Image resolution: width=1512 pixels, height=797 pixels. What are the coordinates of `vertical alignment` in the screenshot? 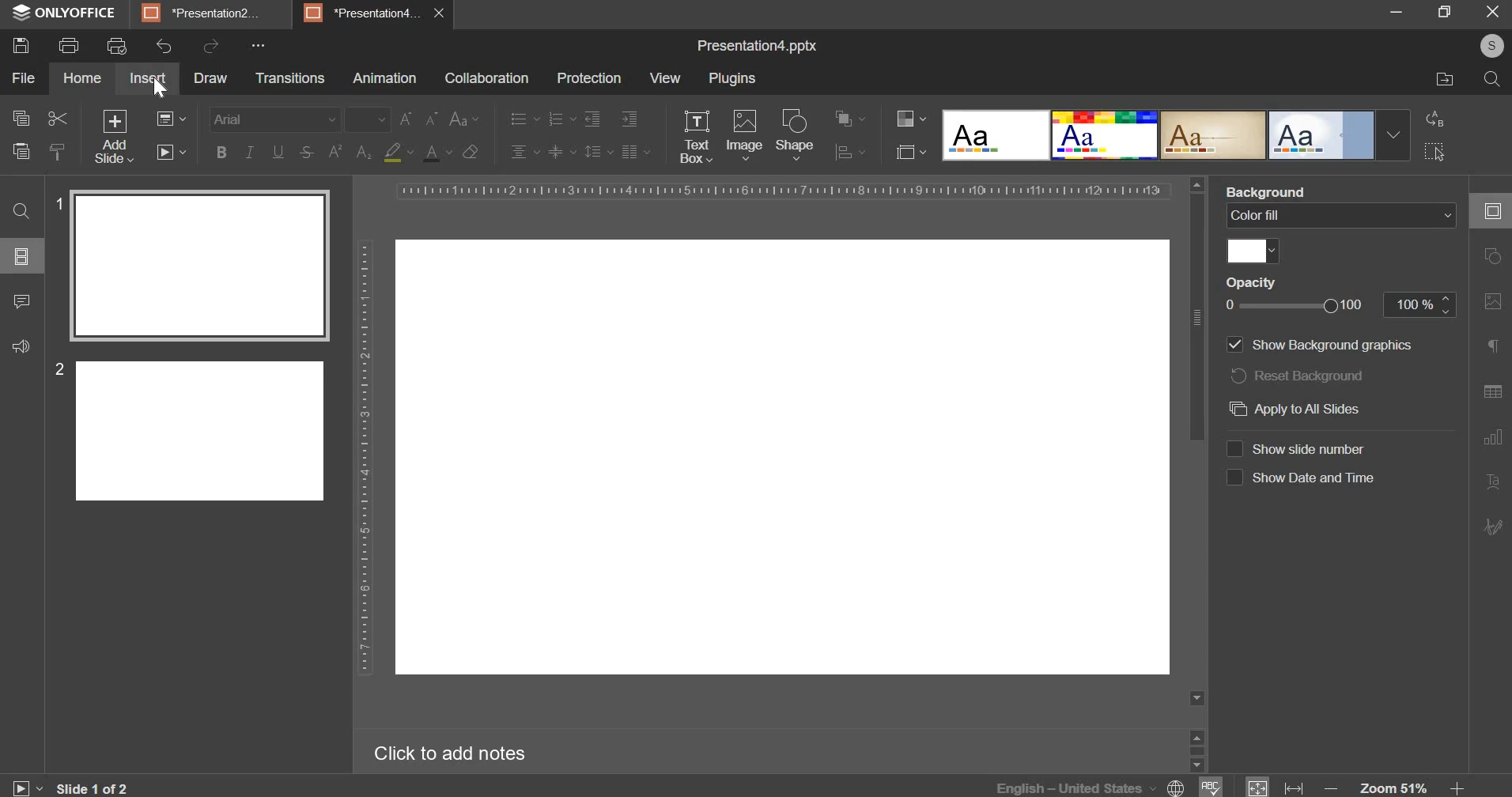 It's located at (562, 152).